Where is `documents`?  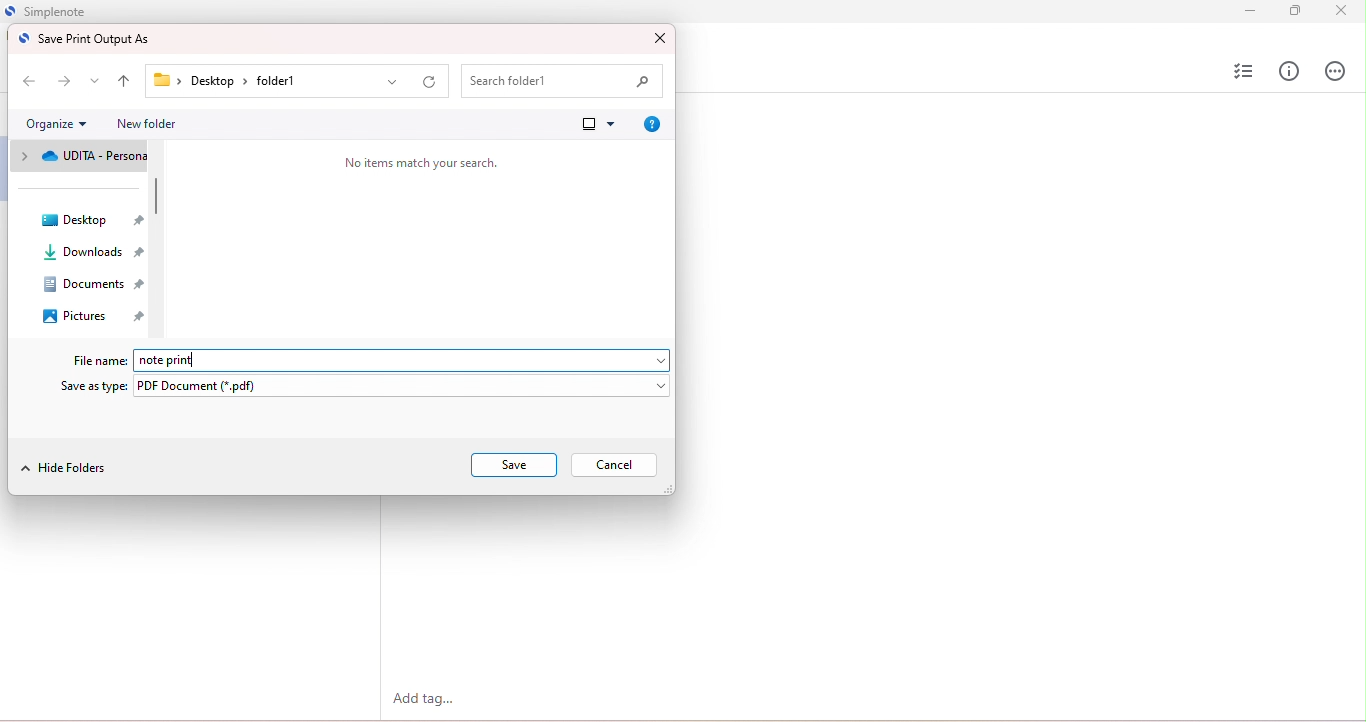
documents is located at coordinates (82, 290).